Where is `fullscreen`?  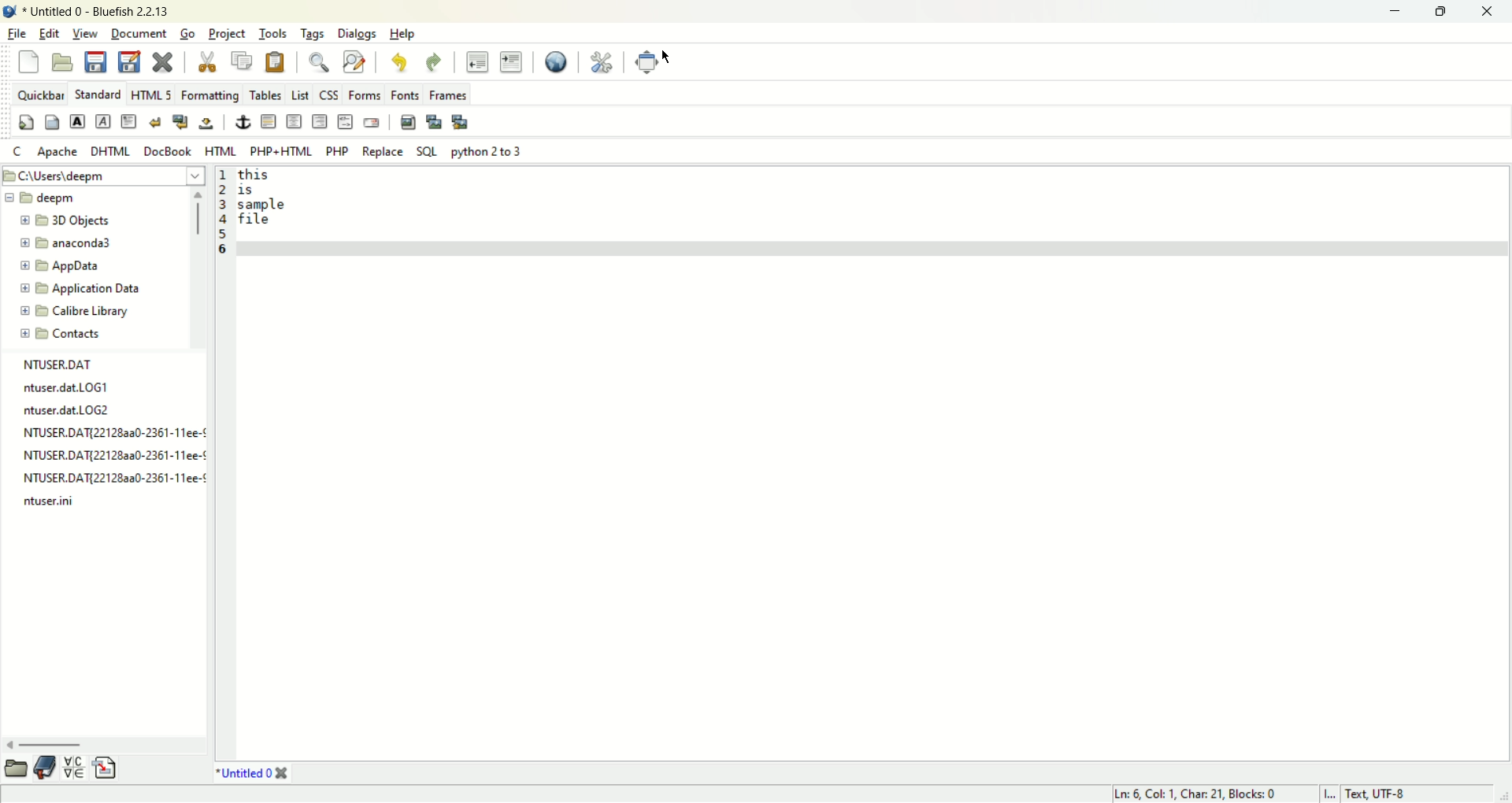
fullscreen is located at coordinates (647, 61).